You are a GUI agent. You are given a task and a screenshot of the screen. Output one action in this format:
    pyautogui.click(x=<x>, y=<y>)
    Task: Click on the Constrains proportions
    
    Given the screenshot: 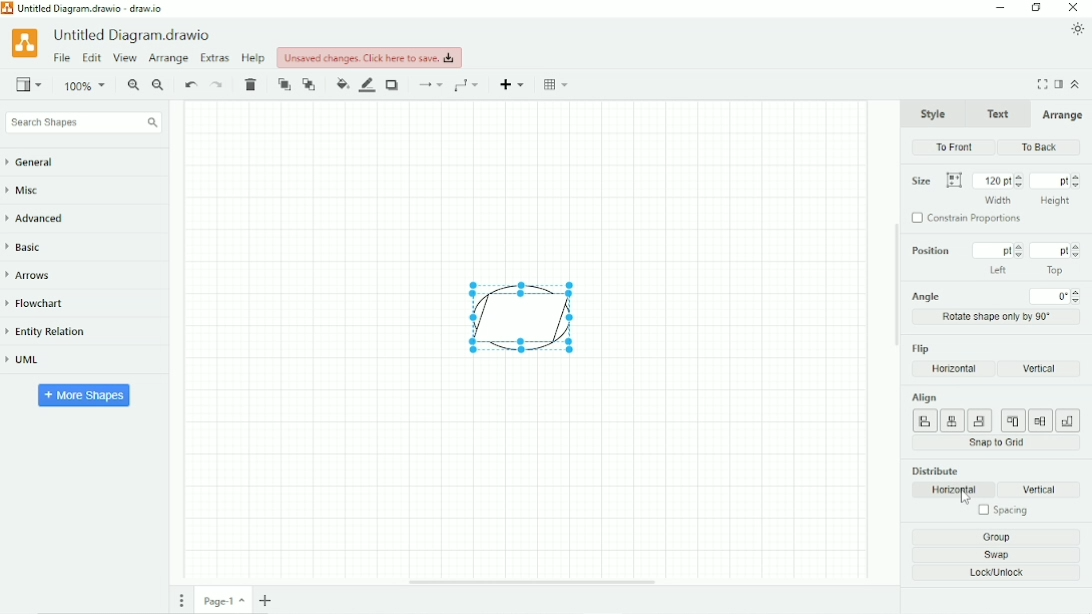 What is the action you would take?
    pyautogui.click(x=969, y=220)
    